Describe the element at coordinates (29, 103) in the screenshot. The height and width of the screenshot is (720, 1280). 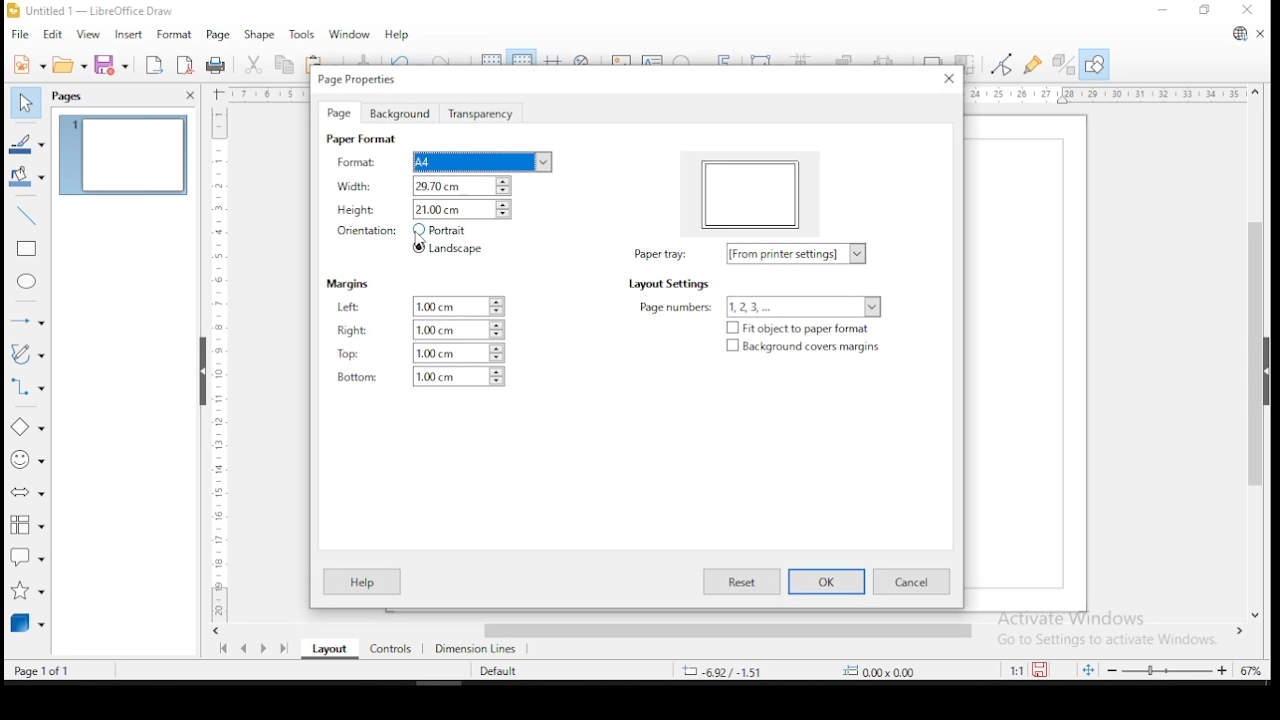
I see `select` at that location.